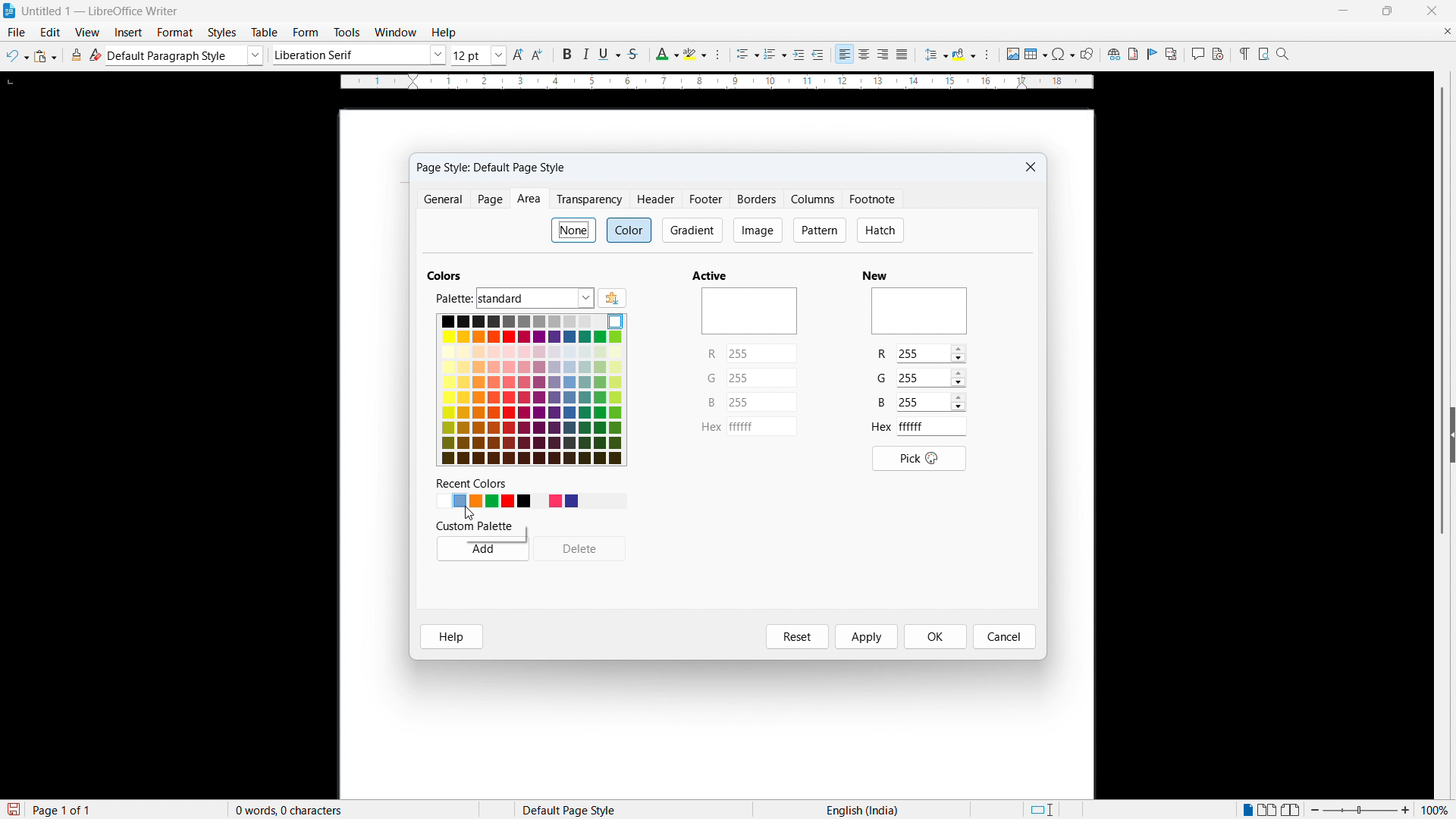 Image resolution: width=1456 pixels, height=819 pixels. What do you see at coordinates (472, 526) in the screenshot?
I see `custom palette` at bounding box center [472, 526].